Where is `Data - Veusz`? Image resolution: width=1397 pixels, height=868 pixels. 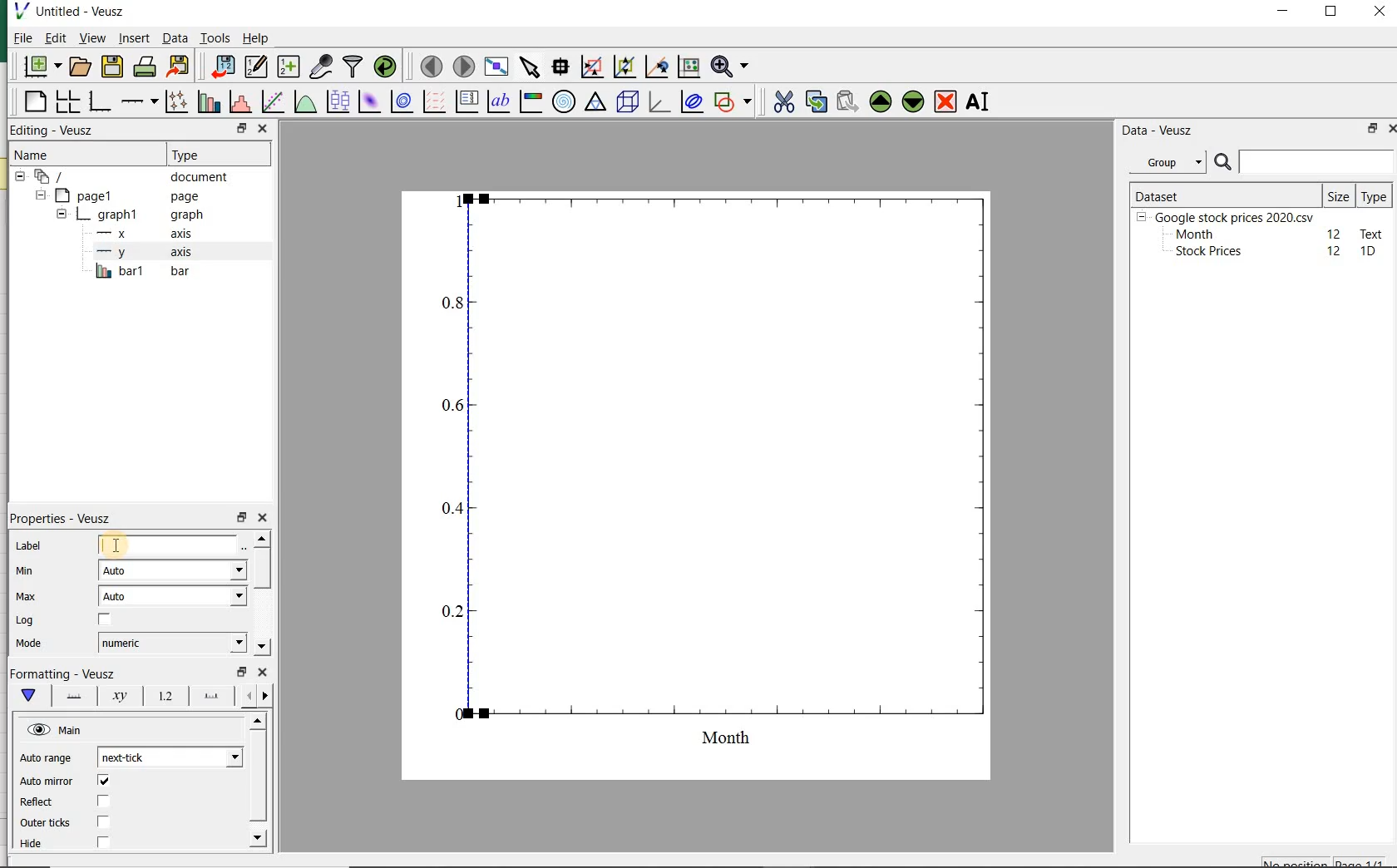 Data - Veusz is located at coordinates (1158, 130).